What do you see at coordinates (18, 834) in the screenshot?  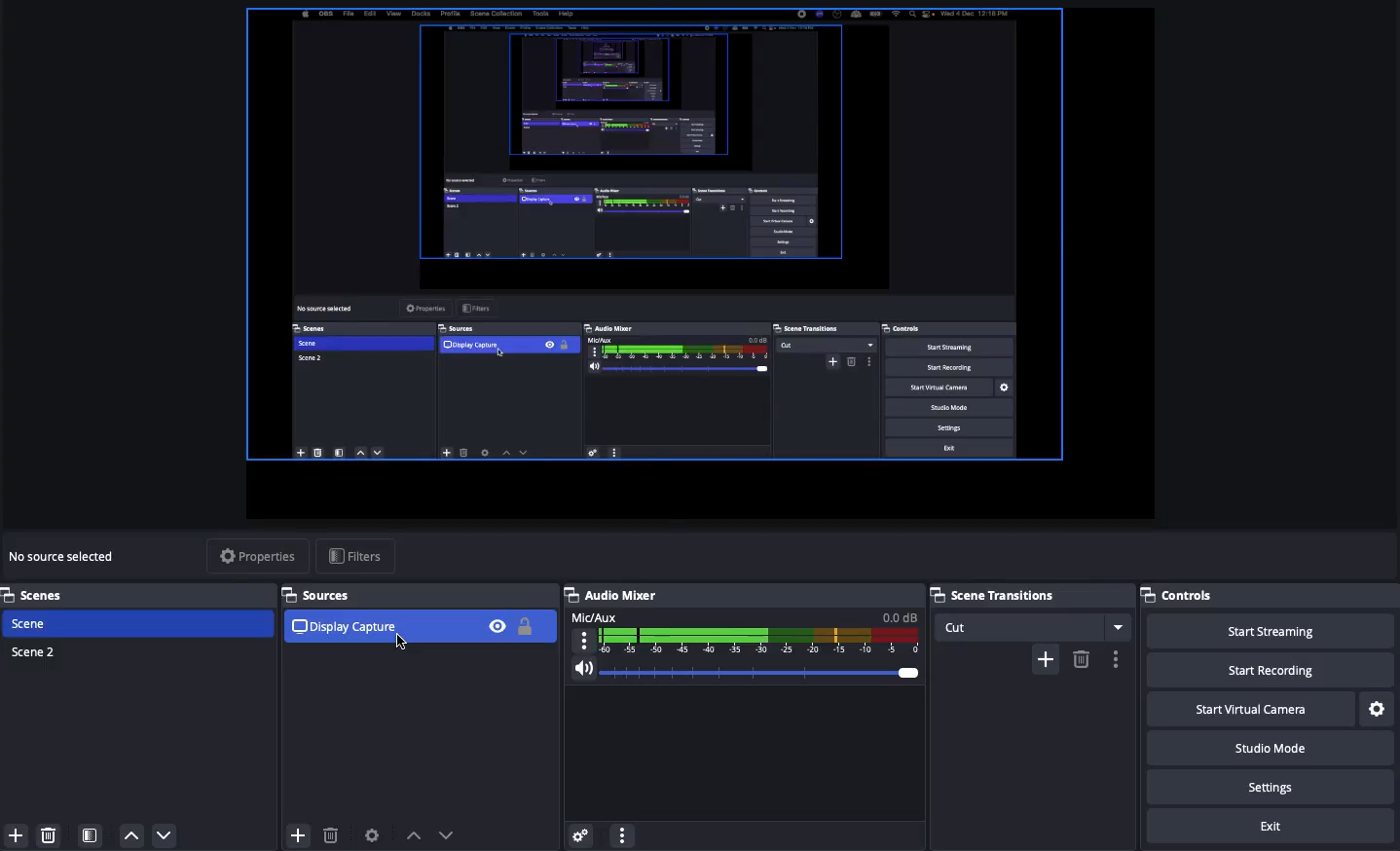 I see `Add` at bounding box center [18, 834].